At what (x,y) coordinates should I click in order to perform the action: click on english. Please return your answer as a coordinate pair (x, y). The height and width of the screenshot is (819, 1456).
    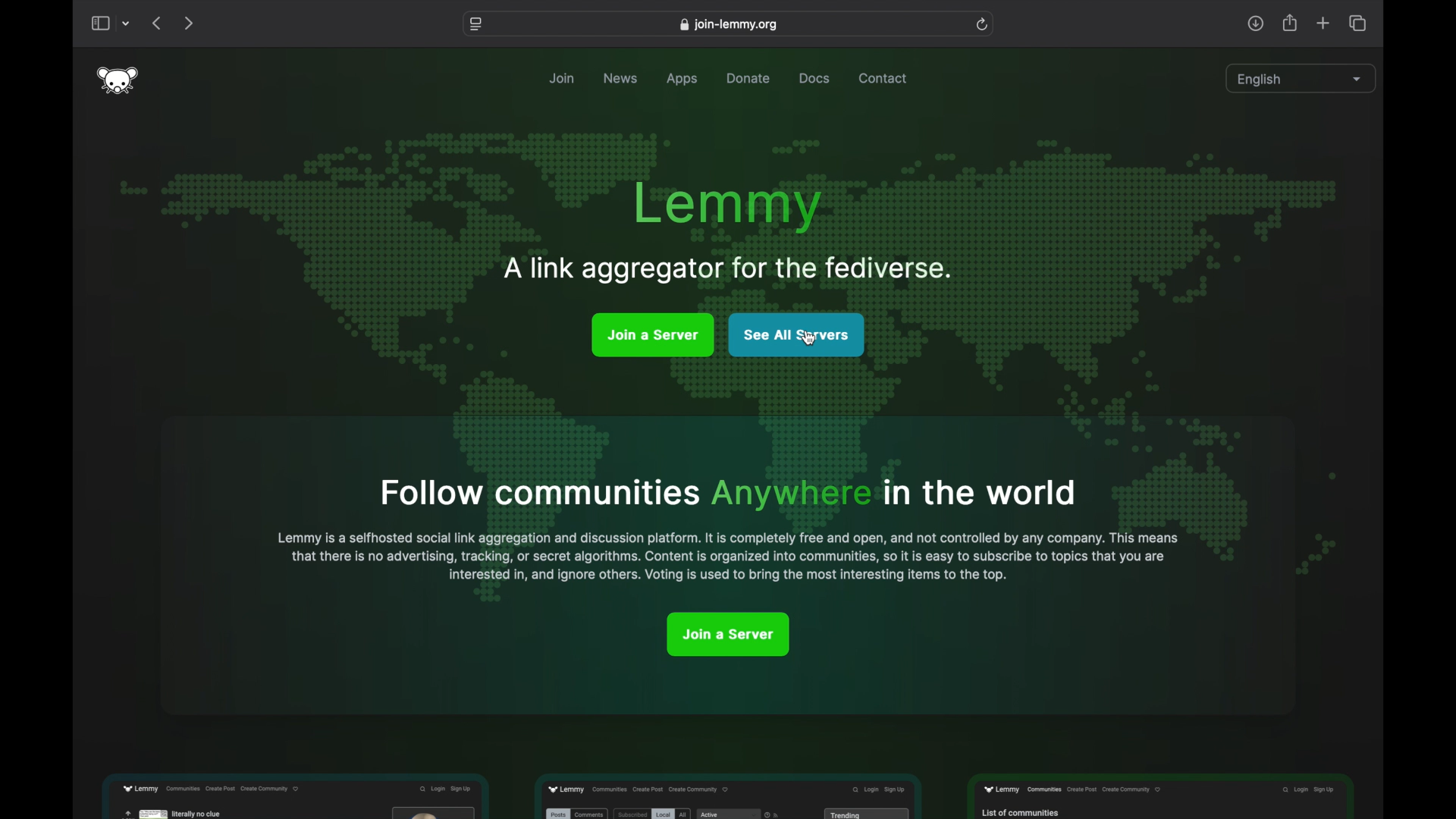
    Looking at the image, I should click on (1300, 80).